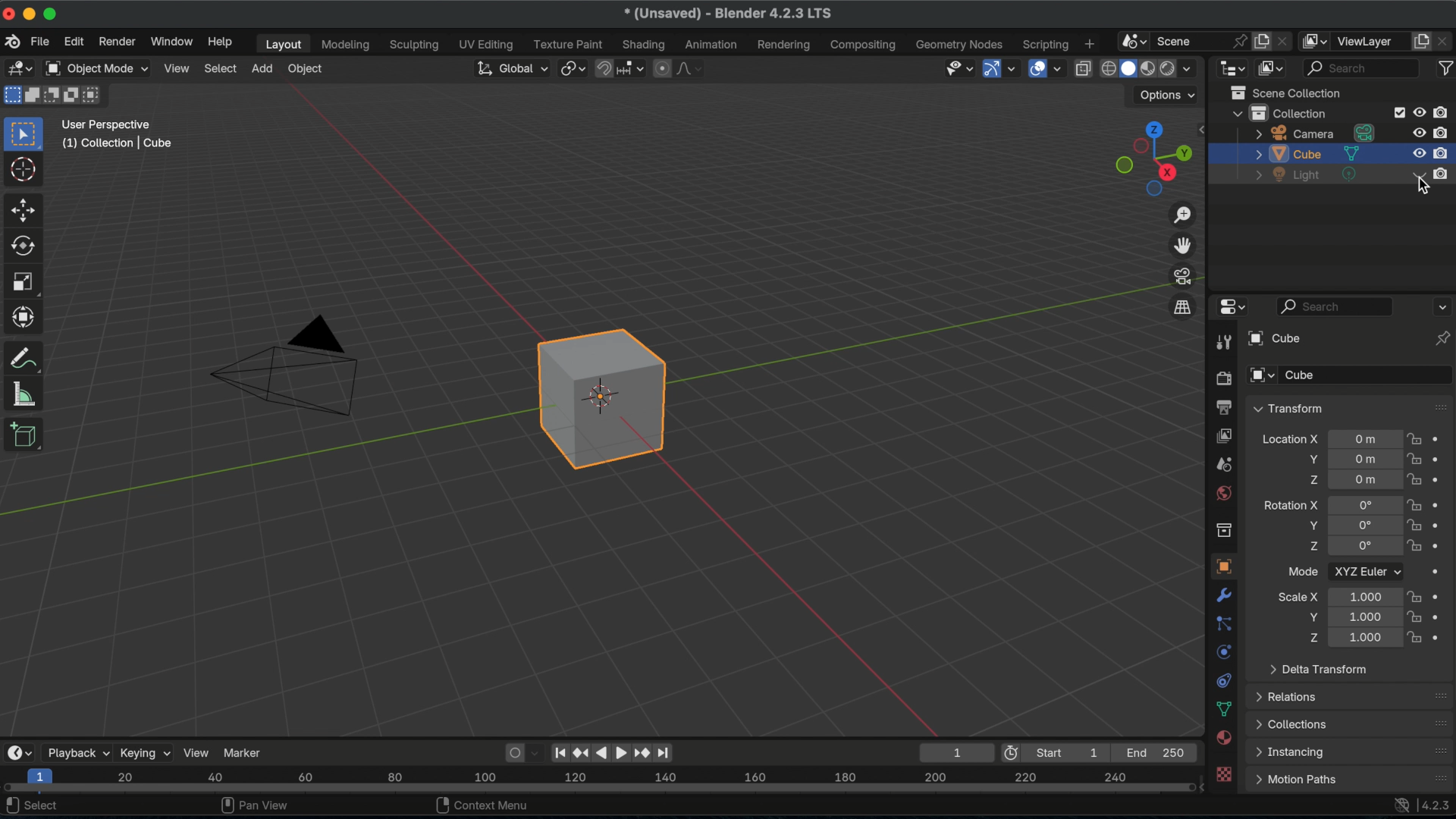  Describe the element at coordinates (121, 143) in the screenshot. I see `(1) collection cube` at that location.